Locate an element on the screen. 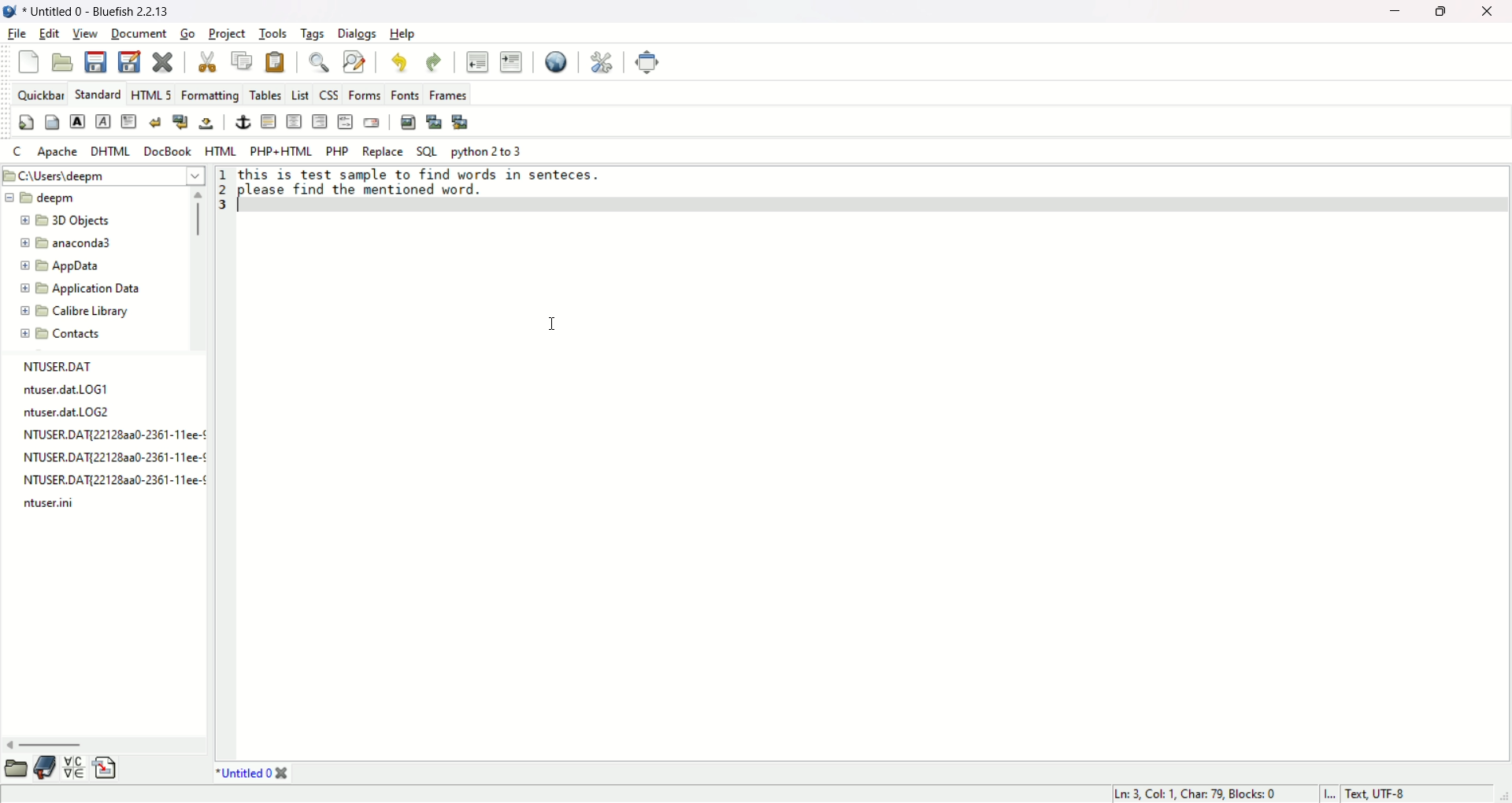  HTML 5 is located at coordinates (151, 93).